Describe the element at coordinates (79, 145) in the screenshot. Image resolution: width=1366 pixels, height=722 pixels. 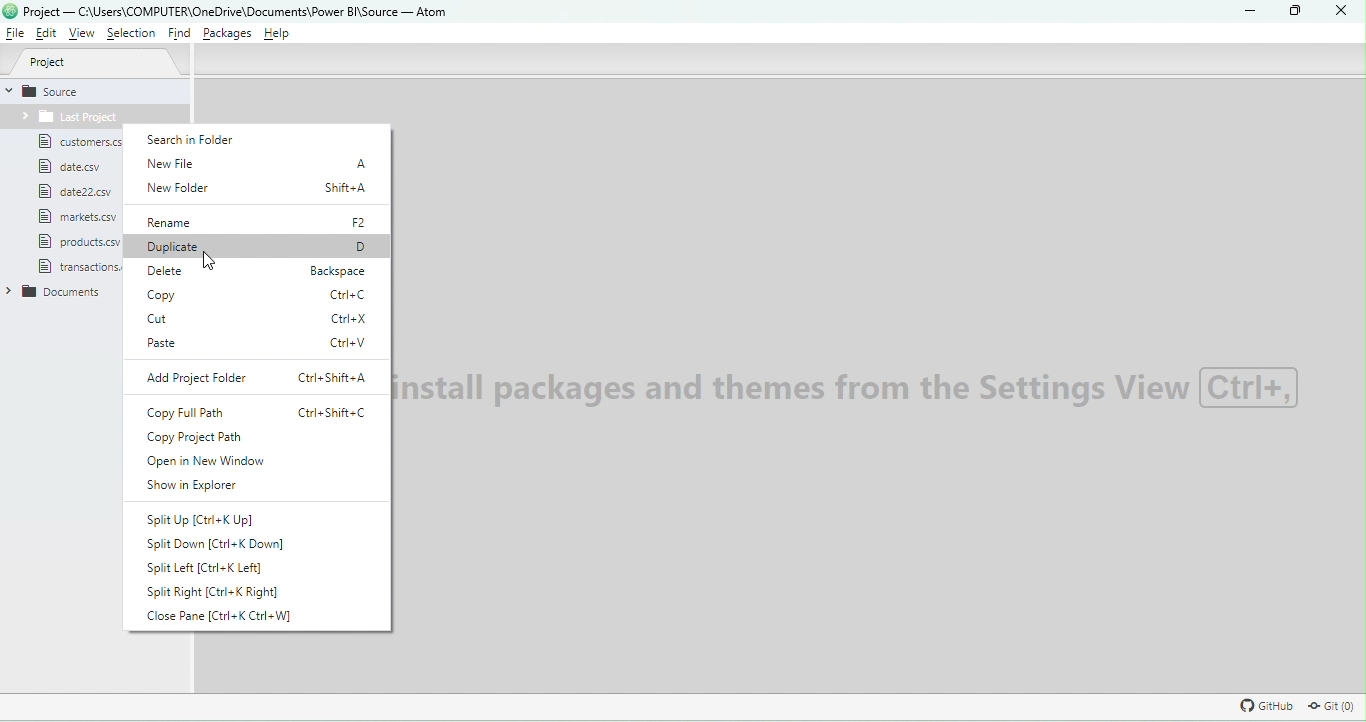
I see `File` at that location.